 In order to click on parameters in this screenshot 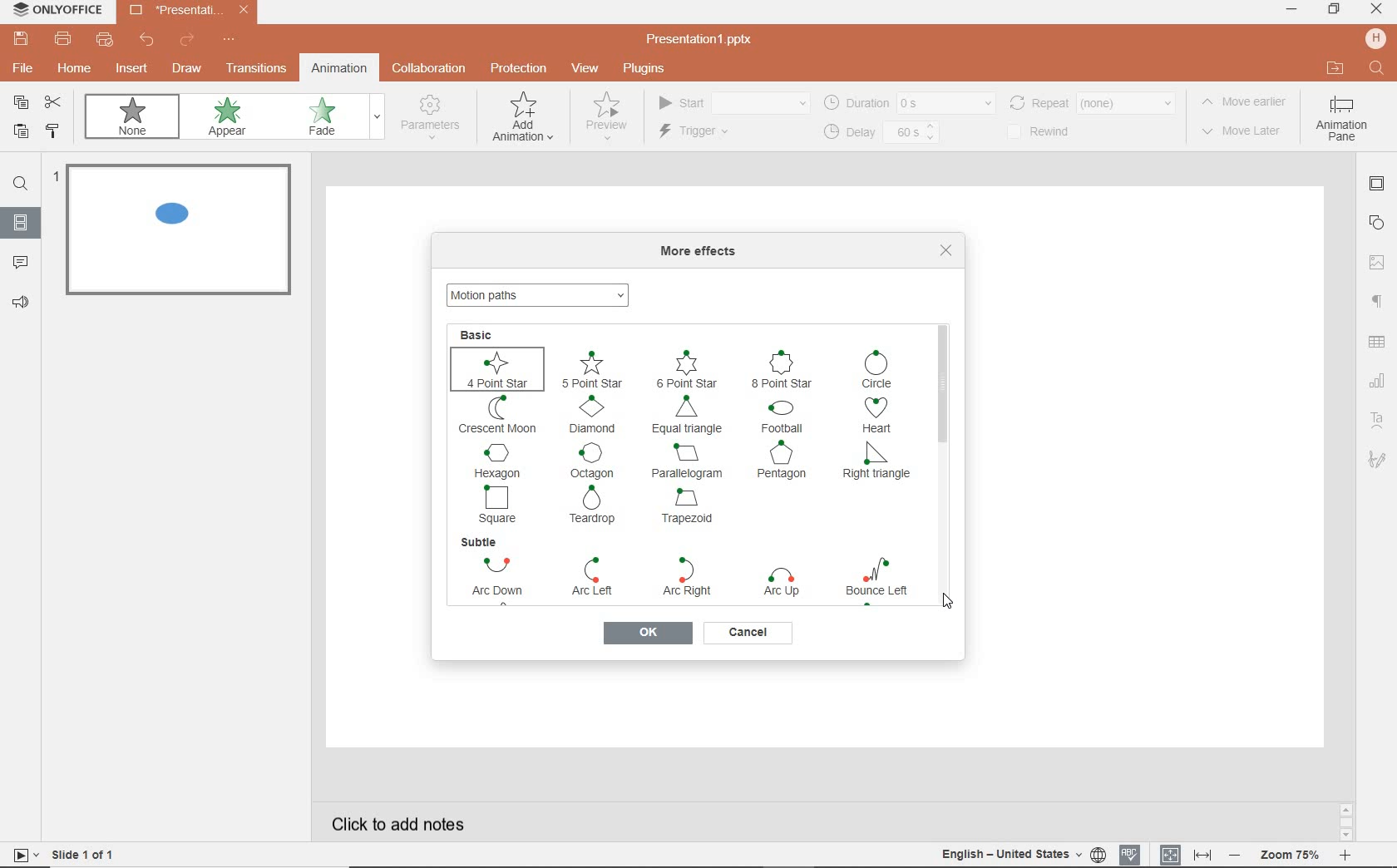, I will do `click(434, 118)`.